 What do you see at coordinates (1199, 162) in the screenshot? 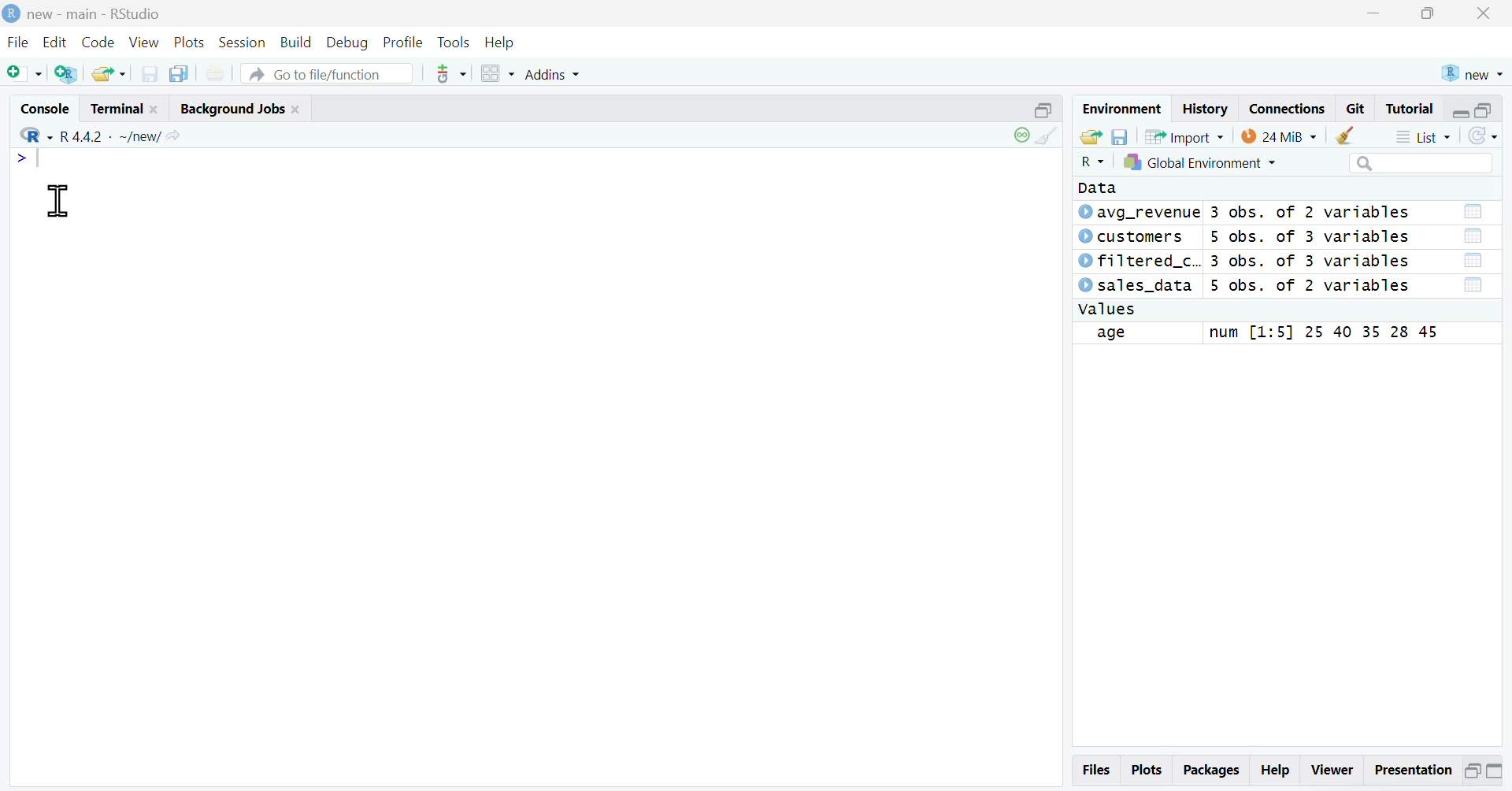
I see `Select Environment - Global Environment` at bounding box center [1199, 162].